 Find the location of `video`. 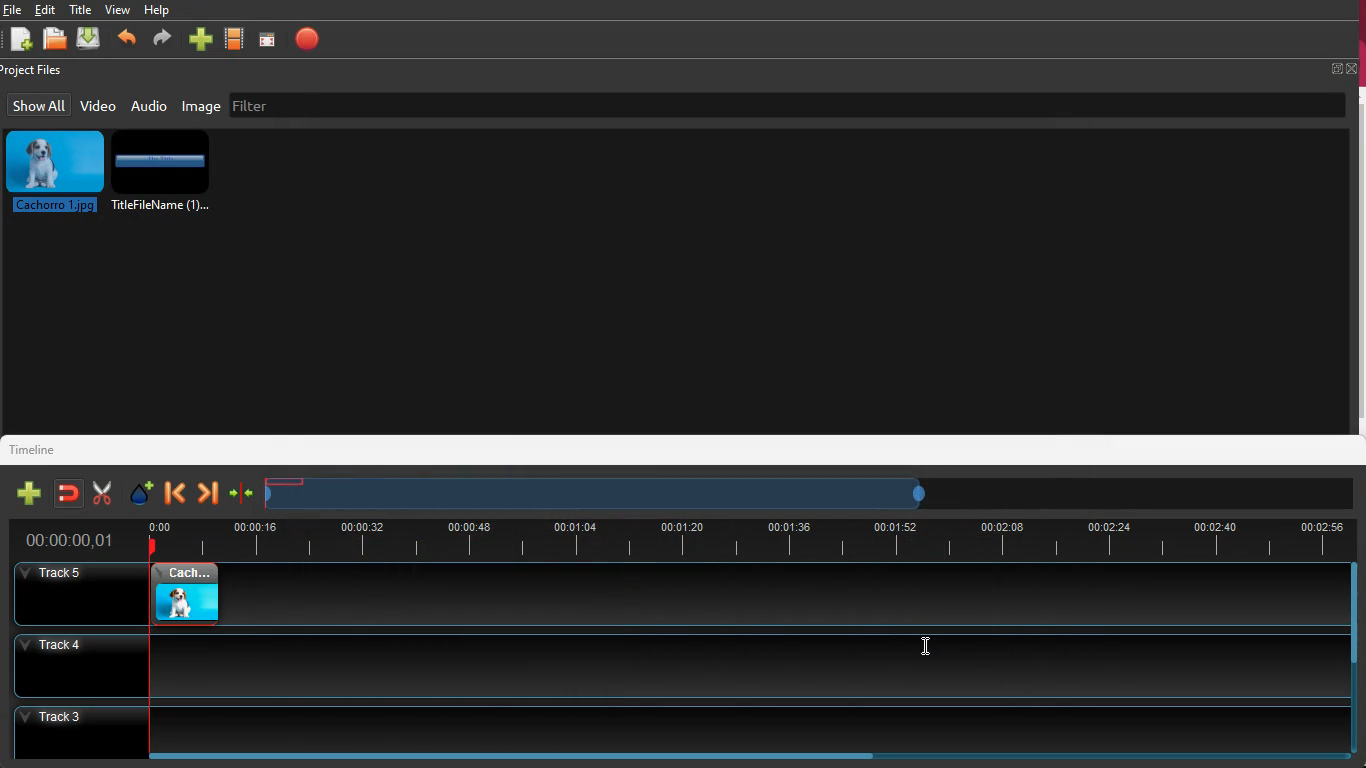

video is located at coordinates (236, 40).